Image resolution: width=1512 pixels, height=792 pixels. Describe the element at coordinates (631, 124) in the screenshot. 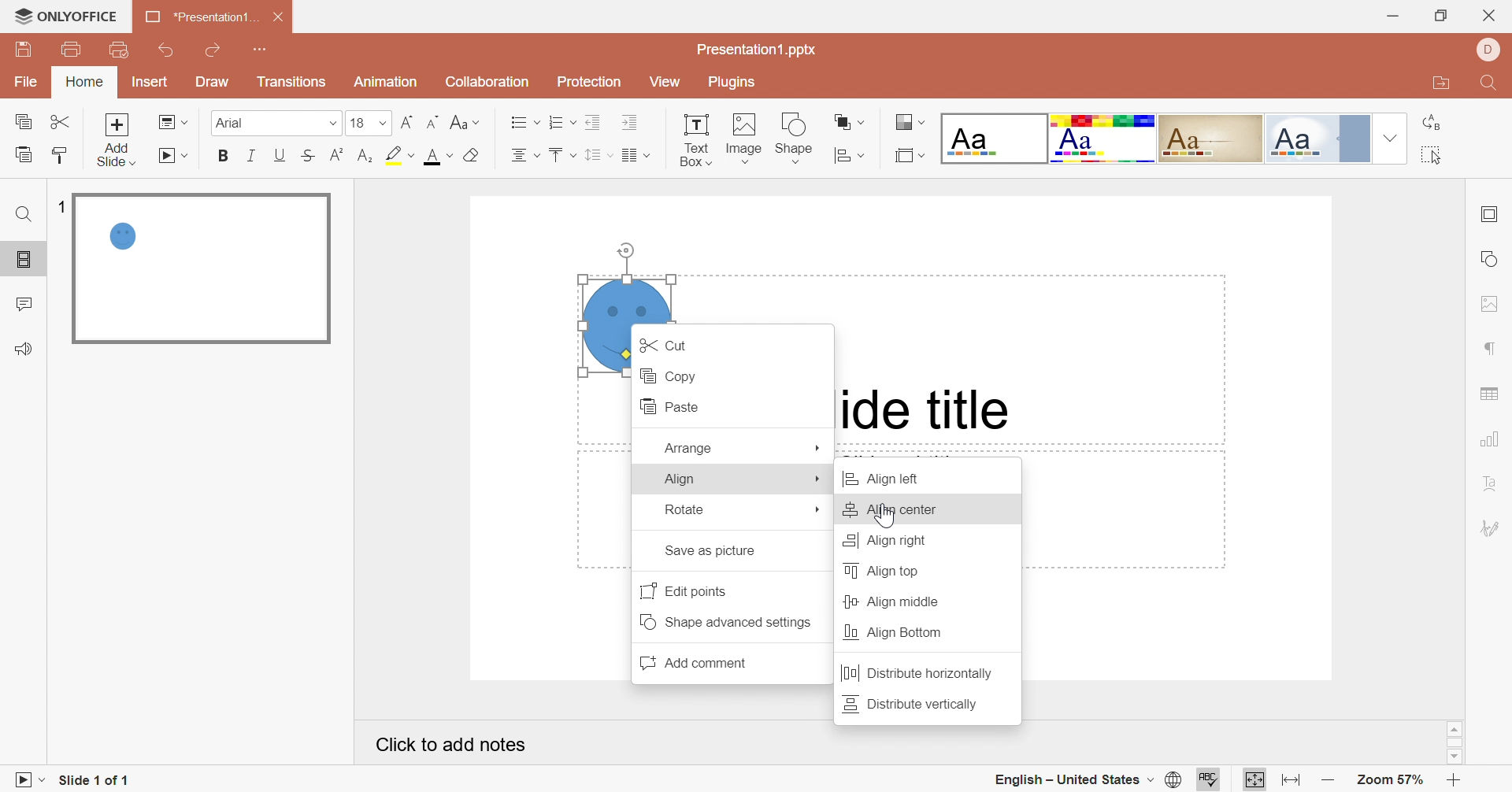

I see `Increase Indent` at that location.